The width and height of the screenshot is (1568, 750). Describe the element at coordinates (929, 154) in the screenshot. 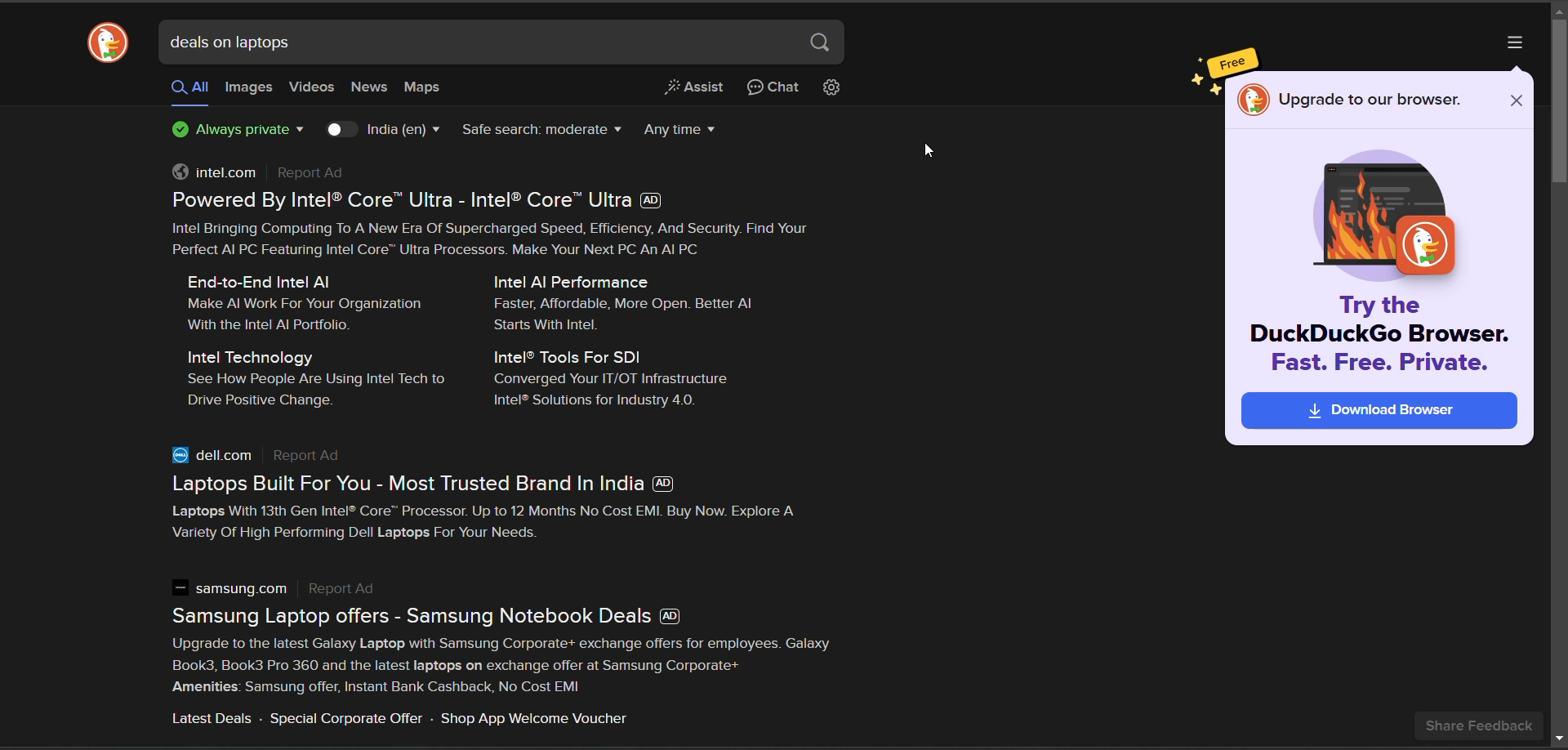

I see `cursor` at that location.